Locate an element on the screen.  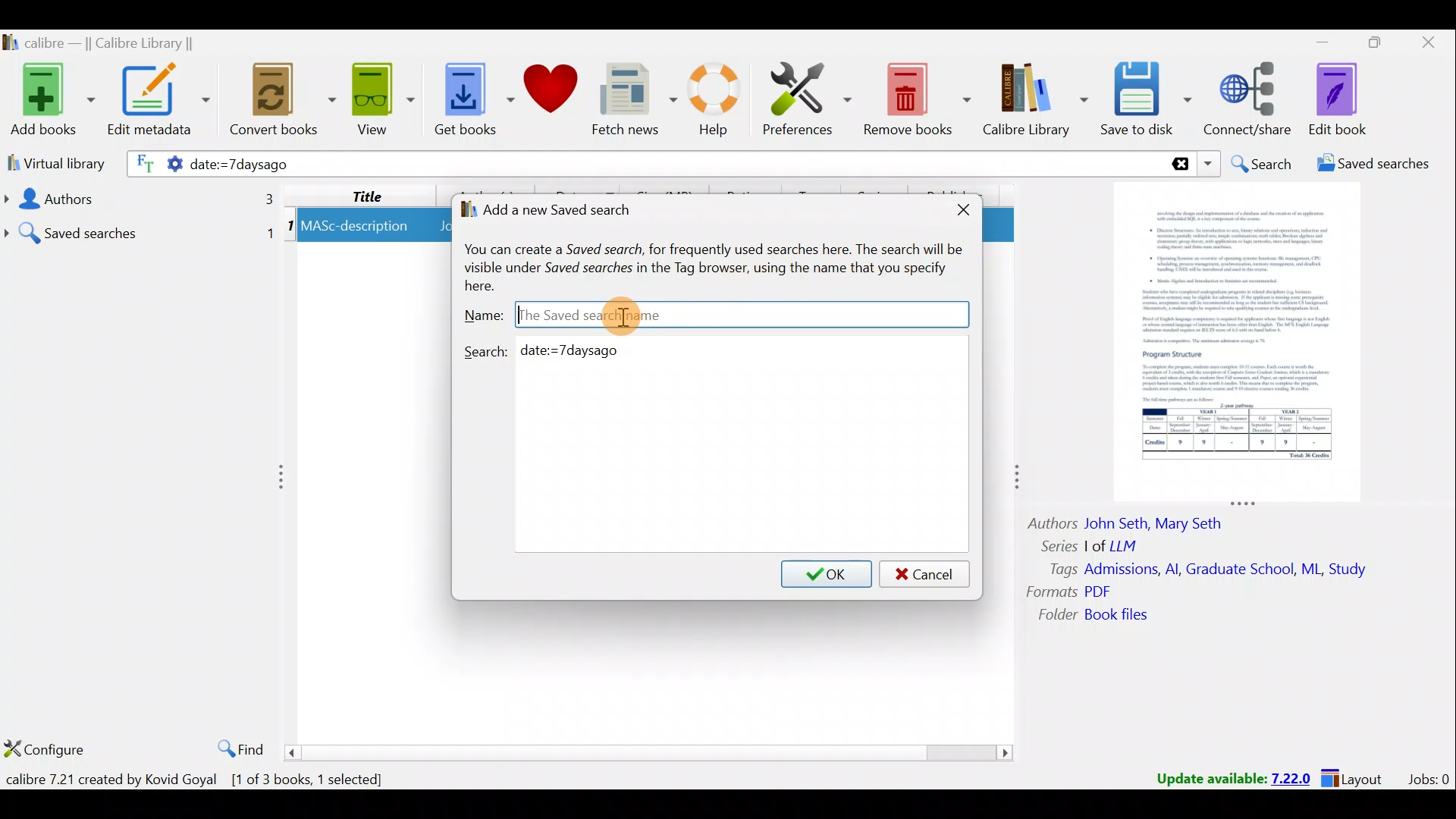
Tags Admissions, Al, Graduate School, ML, Study is located at coordinates (1210, 570).